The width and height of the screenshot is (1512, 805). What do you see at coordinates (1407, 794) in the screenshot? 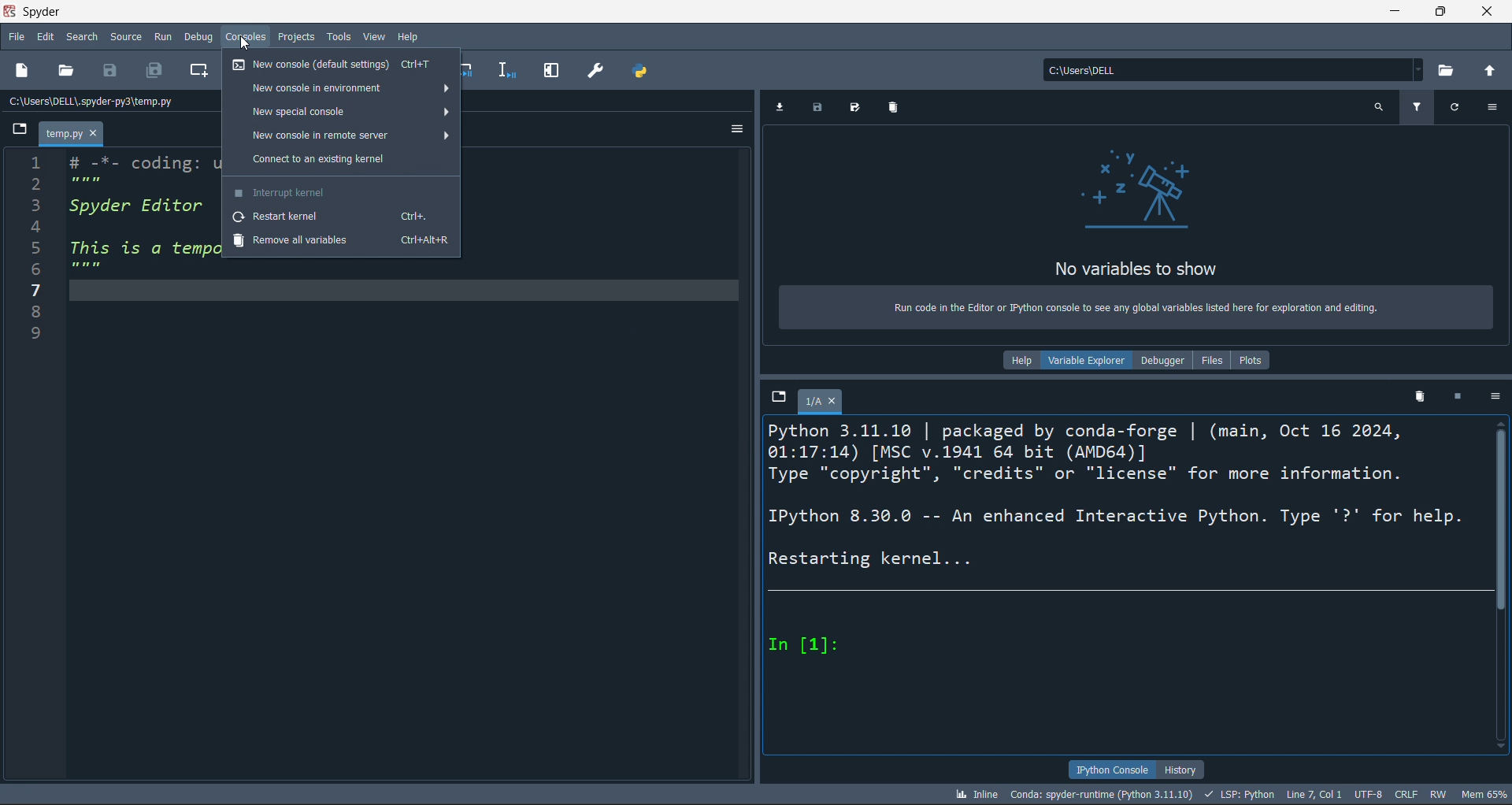
I see `crlf` at bounding box center [1407, 794].